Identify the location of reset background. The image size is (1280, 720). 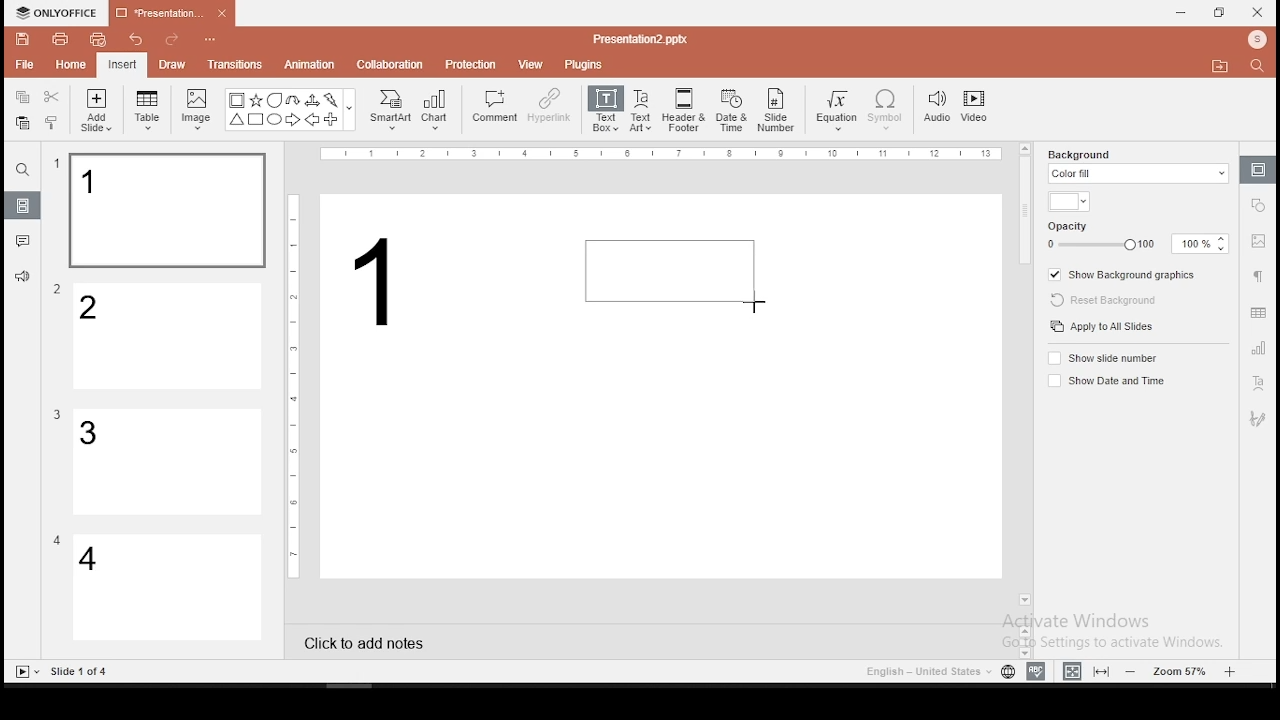
(1101, 301).